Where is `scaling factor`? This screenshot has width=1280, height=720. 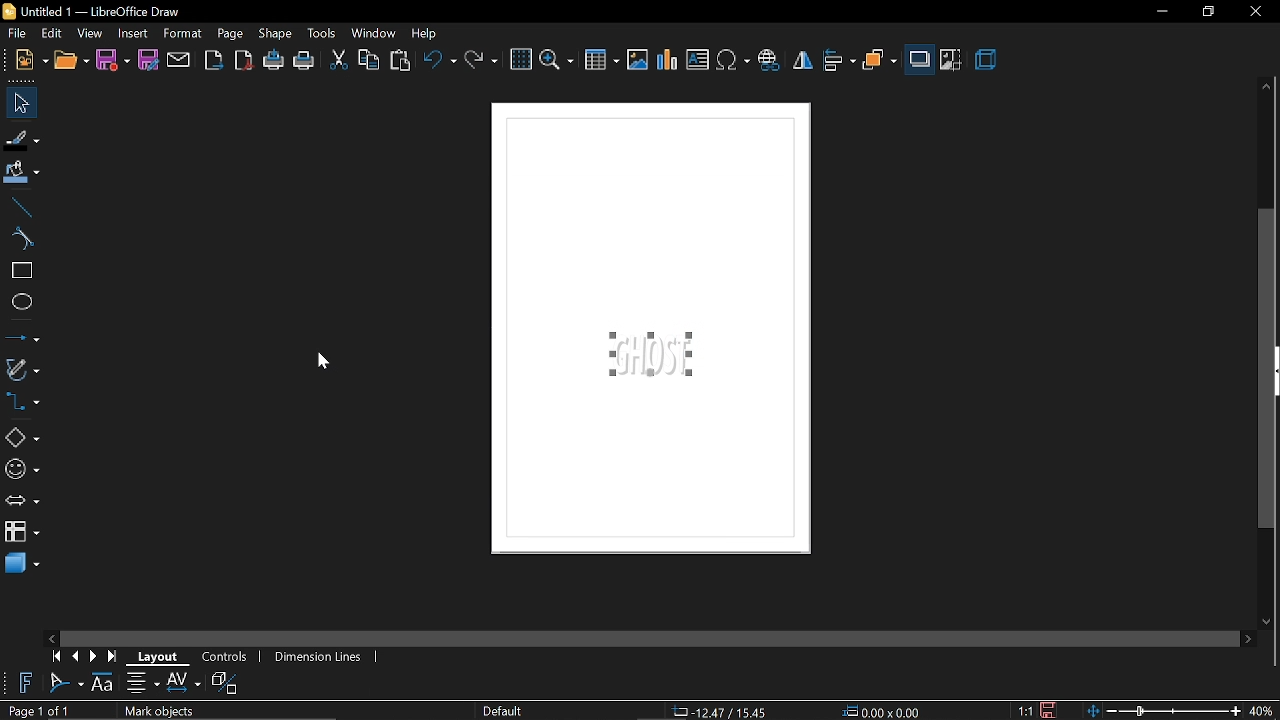
scaling factor is located at coordinates (1025, 712).